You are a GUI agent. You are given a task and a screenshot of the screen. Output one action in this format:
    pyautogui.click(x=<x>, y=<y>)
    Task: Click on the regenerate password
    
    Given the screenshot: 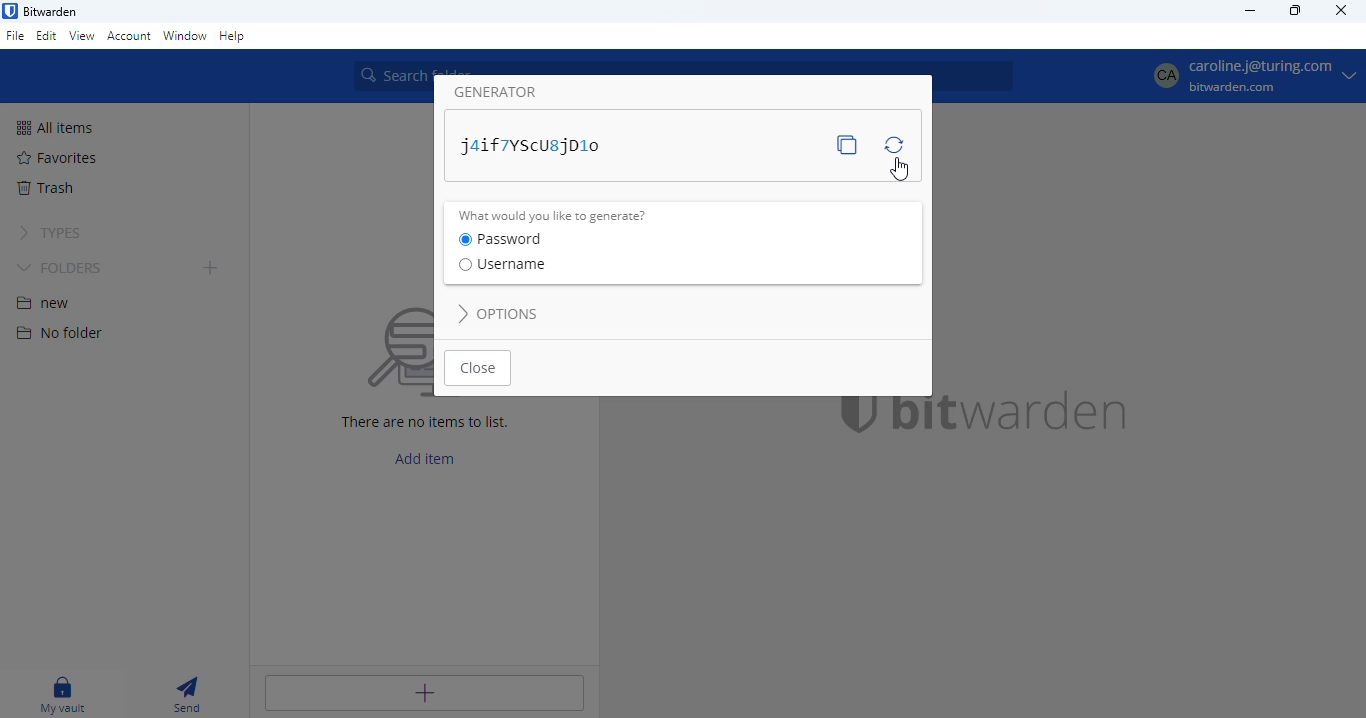 What is the action you would take?
    pyautogui.click(x=894, y=144)
    